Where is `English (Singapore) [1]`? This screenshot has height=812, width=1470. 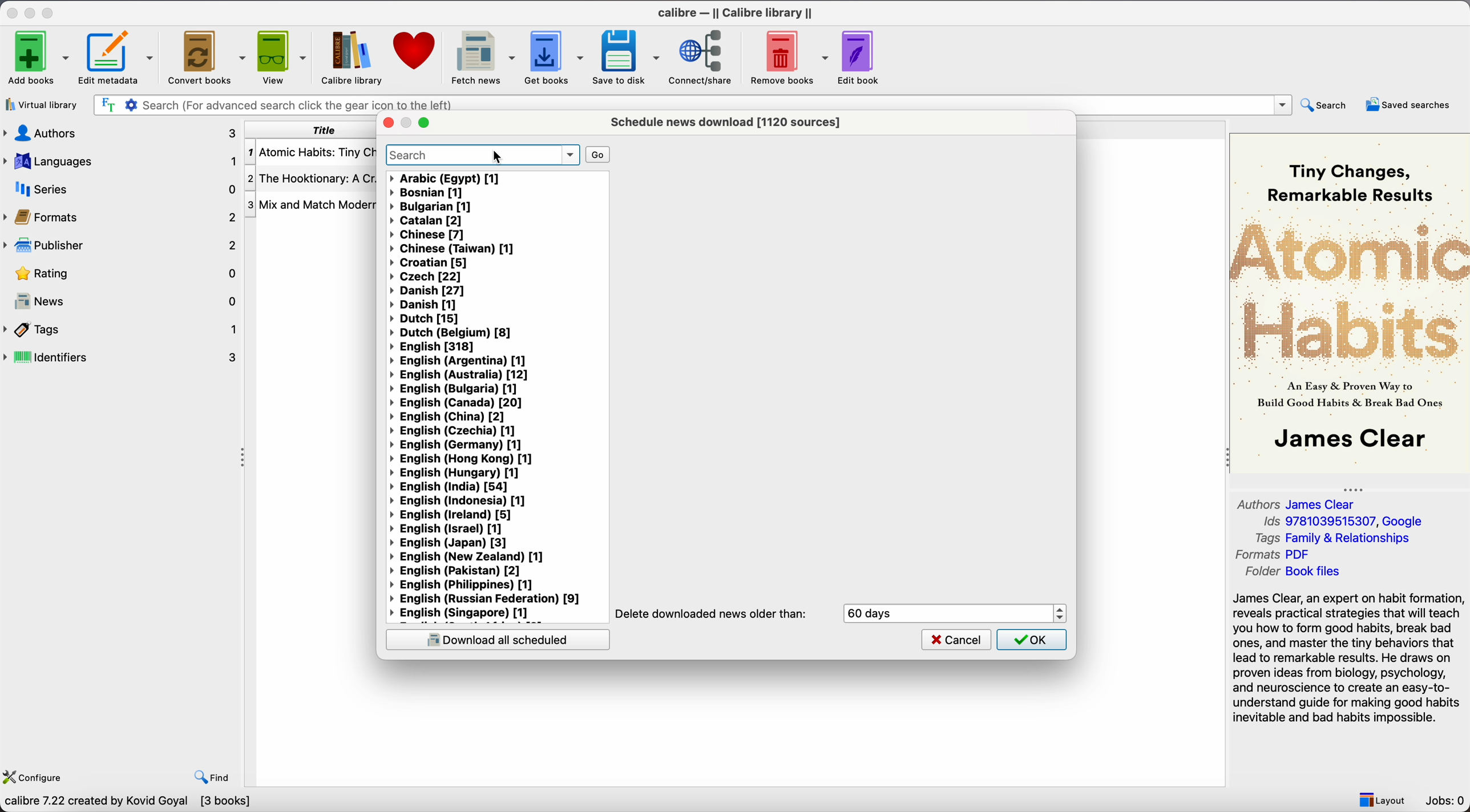 English (Singapore) [1] is located at coordinates (463, 613).